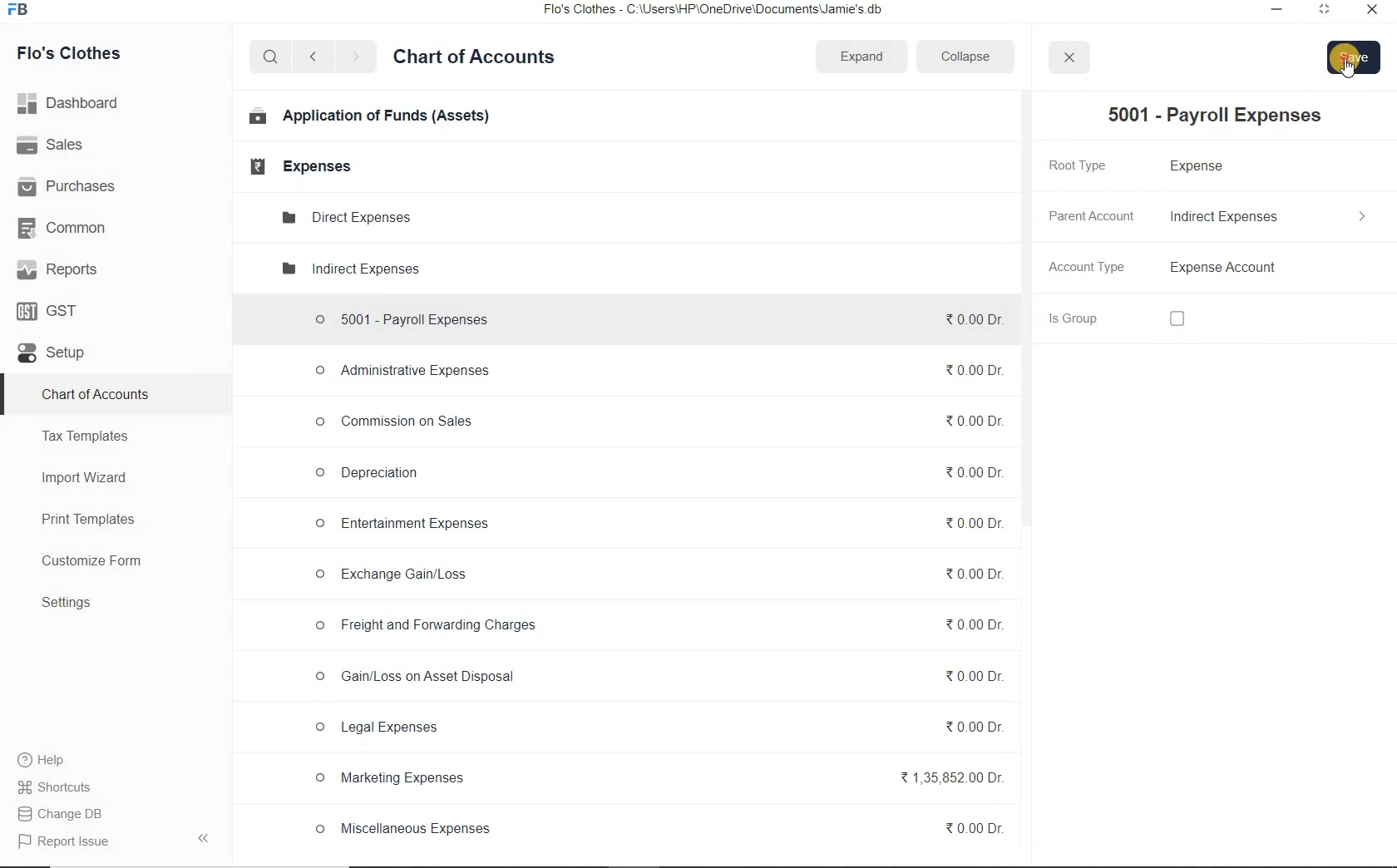  Describe the element at coordinates (70, 813) in the screenshot. I see ` Change DB` at that location.